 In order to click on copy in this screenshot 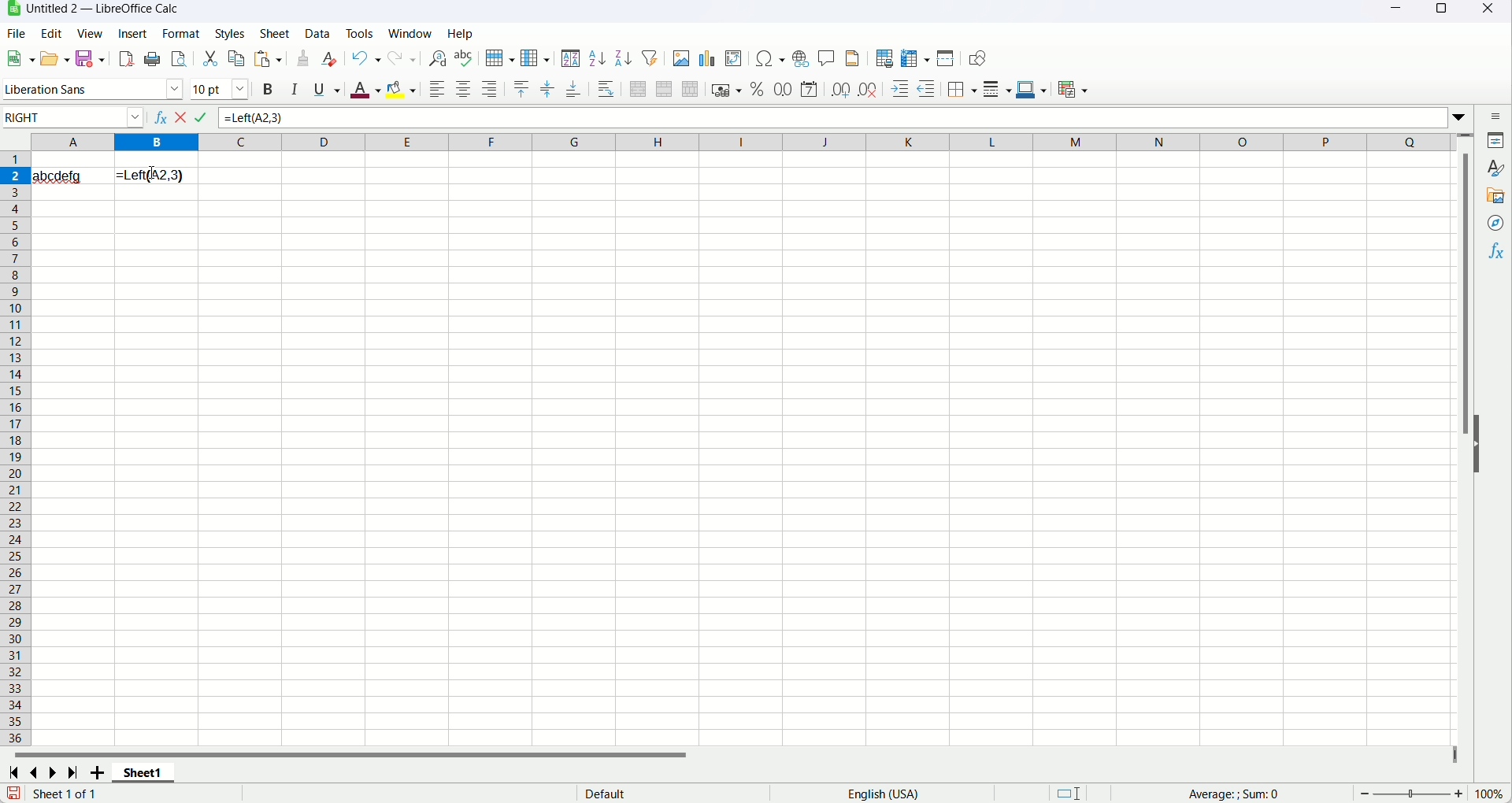, I will do `click(236, 58)`.